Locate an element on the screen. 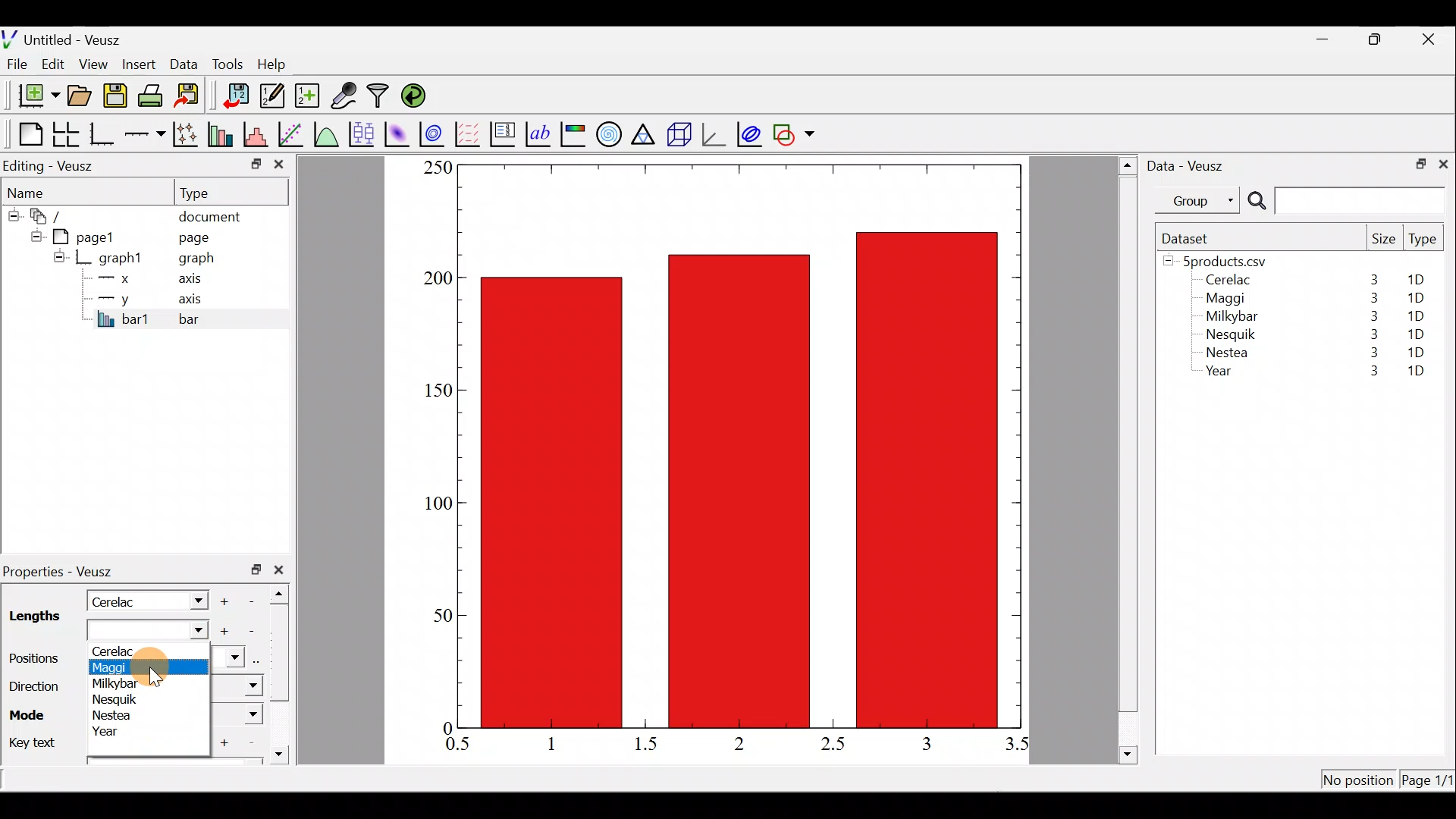 The width and height of the screenshot is (1456, 819). bar1 is located at coordinates (124, 318).